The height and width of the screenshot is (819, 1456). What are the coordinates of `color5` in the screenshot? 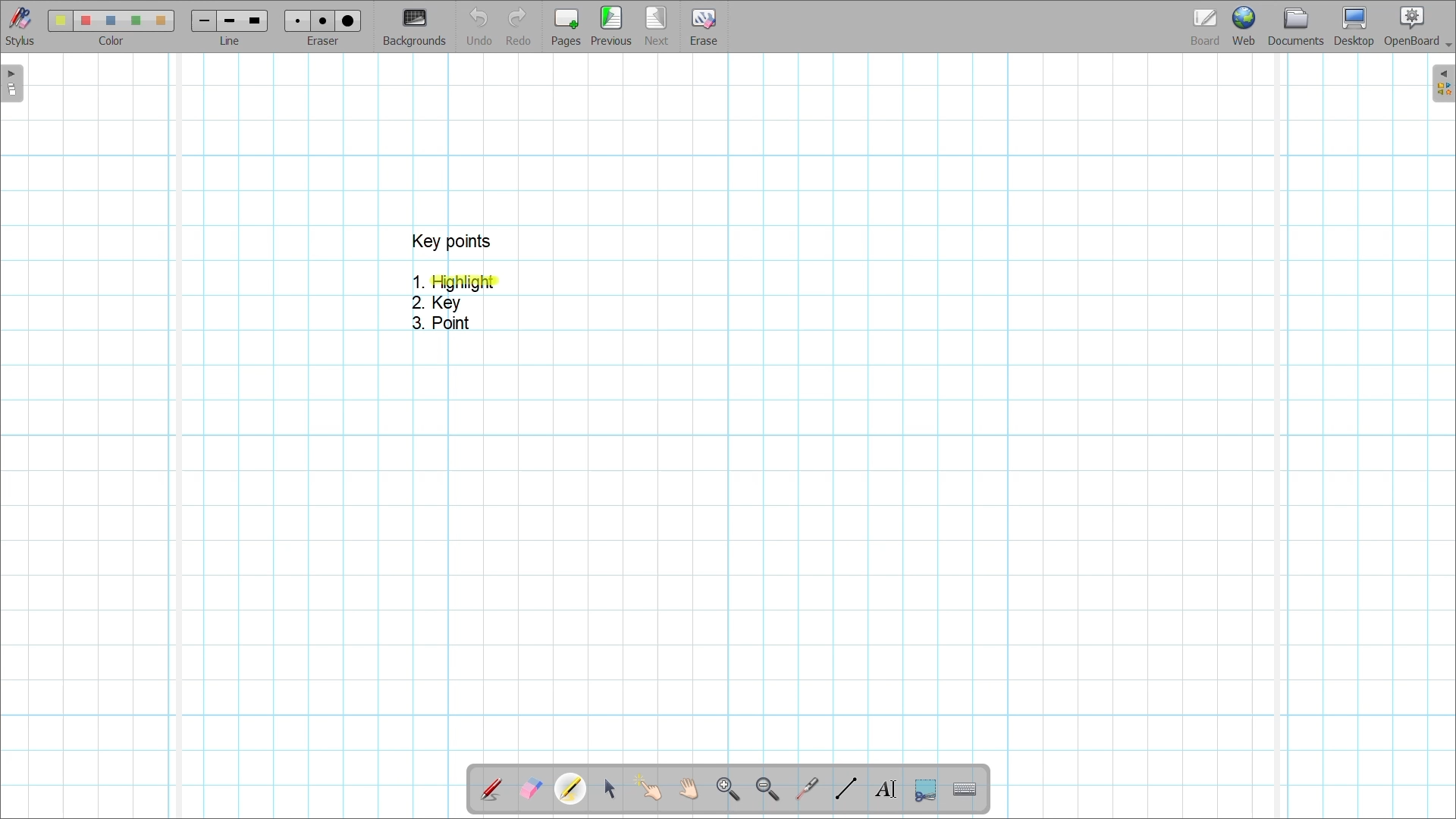 It's located at (159, 21).